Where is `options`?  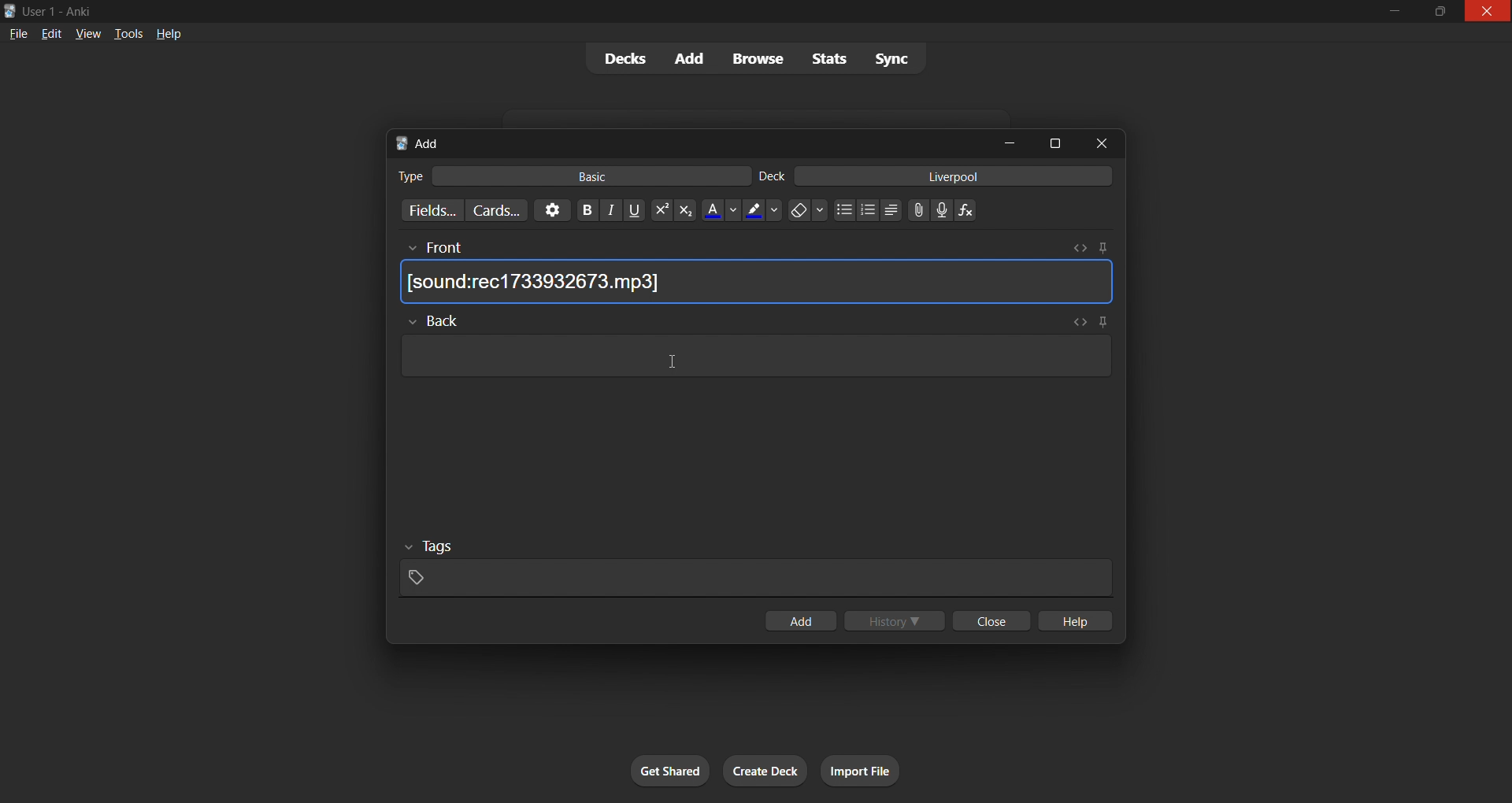
options is located at coordinates (548, 210).